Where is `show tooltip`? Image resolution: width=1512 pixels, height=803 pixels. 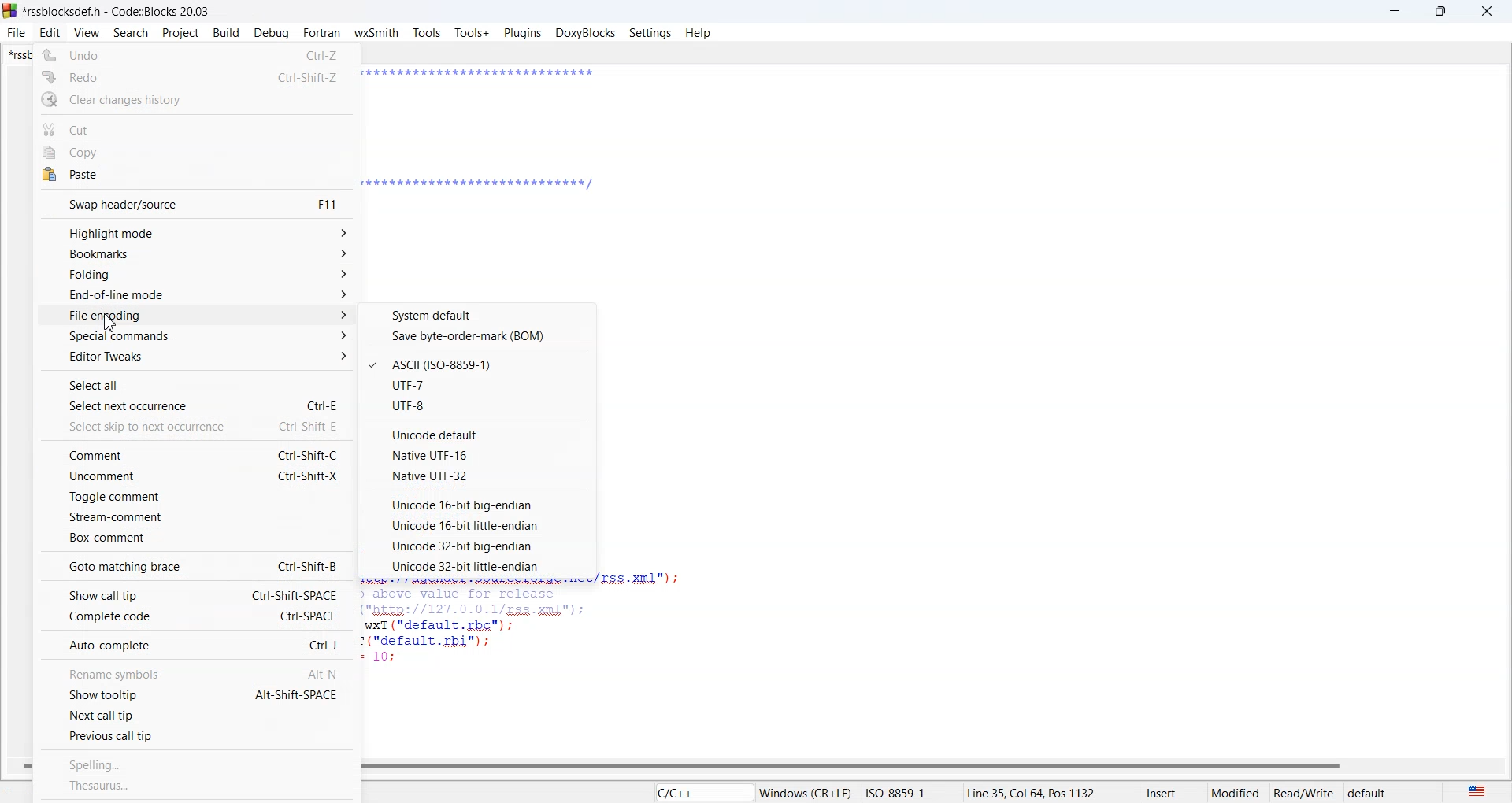
show tooltip is located at coordinates (195, 693).